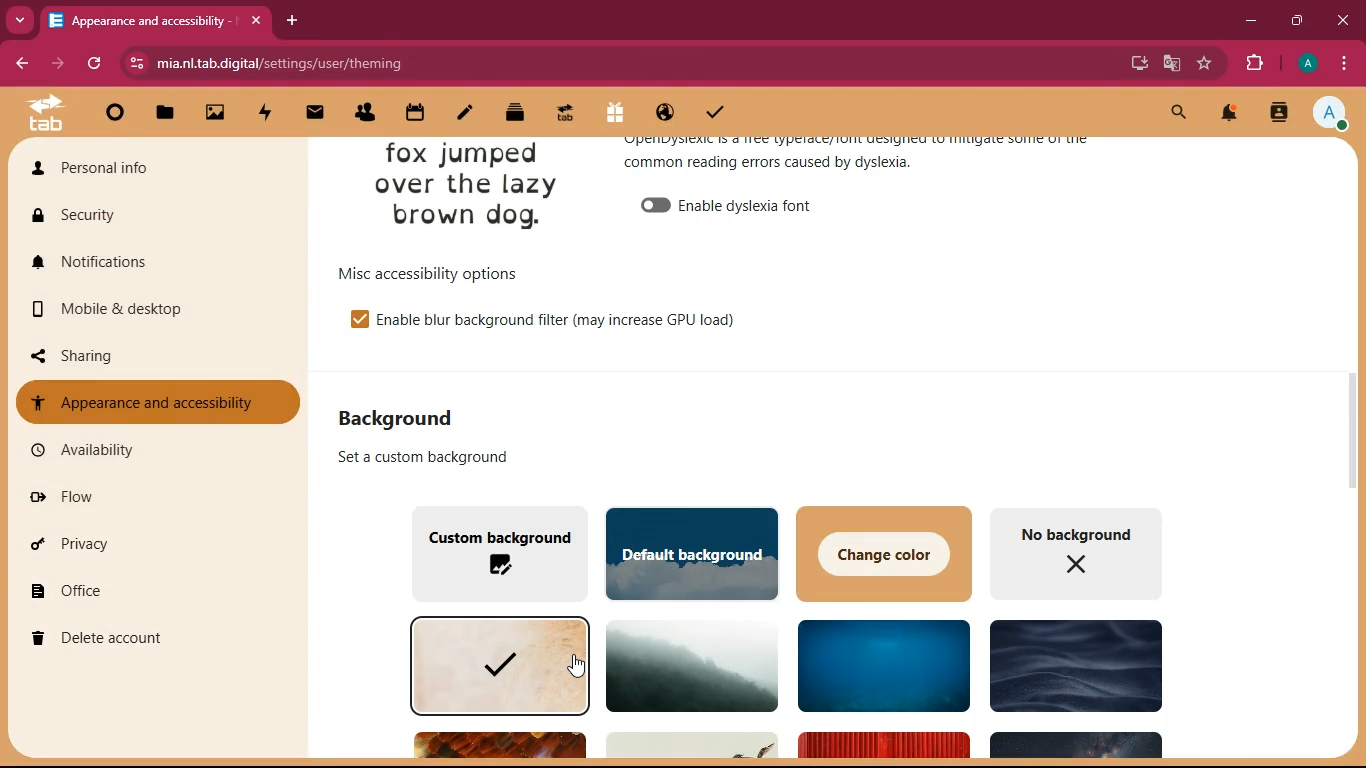 Image resolution: width=1366 pixels, height=768 pixels. What do you see at coordinates (218, 114) in the screenshot?
I see `images` at bounding box center [218, 114].